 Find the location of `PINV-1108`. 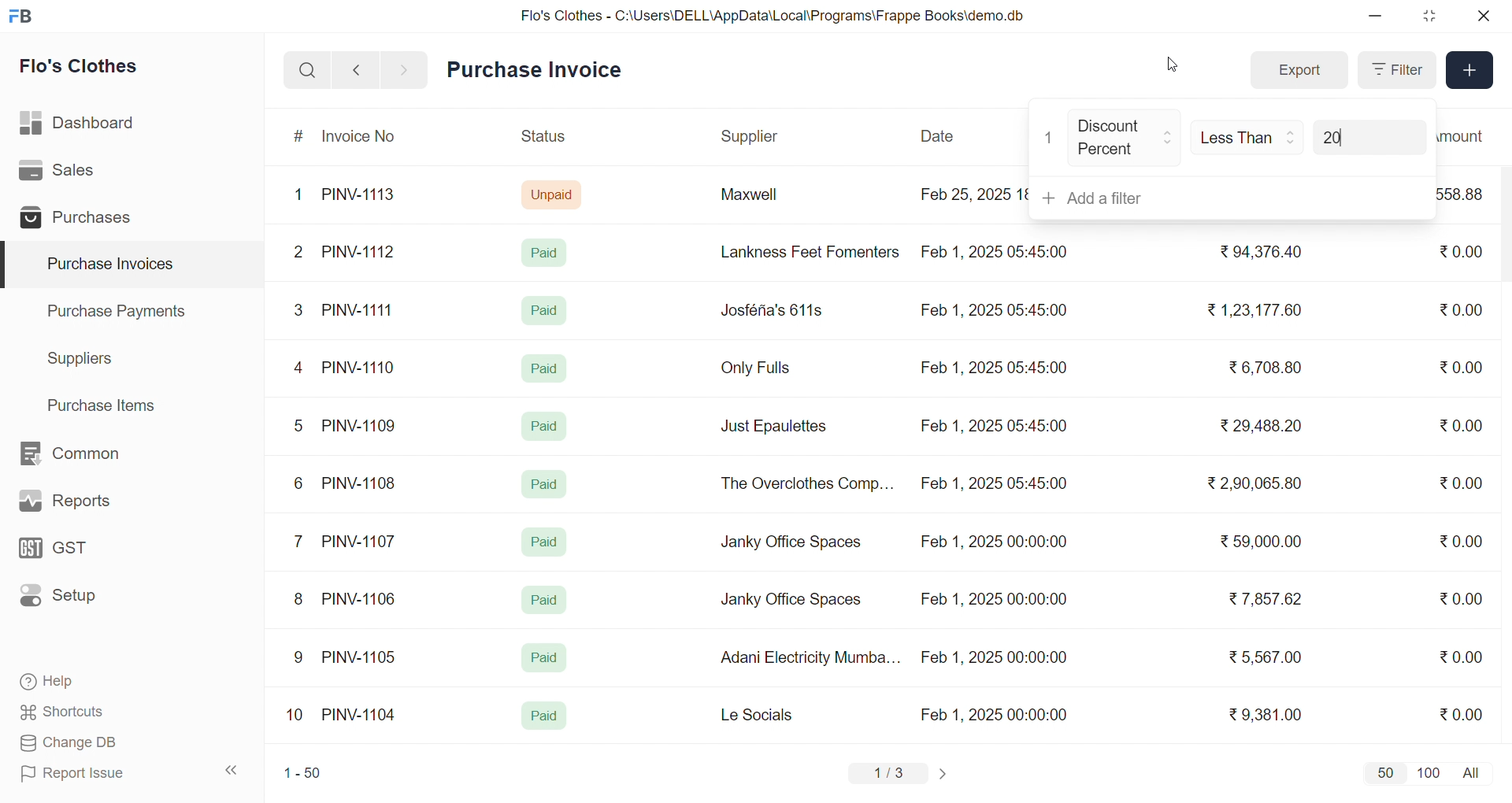

PINV-1108 is located at coordinates (360, 483).